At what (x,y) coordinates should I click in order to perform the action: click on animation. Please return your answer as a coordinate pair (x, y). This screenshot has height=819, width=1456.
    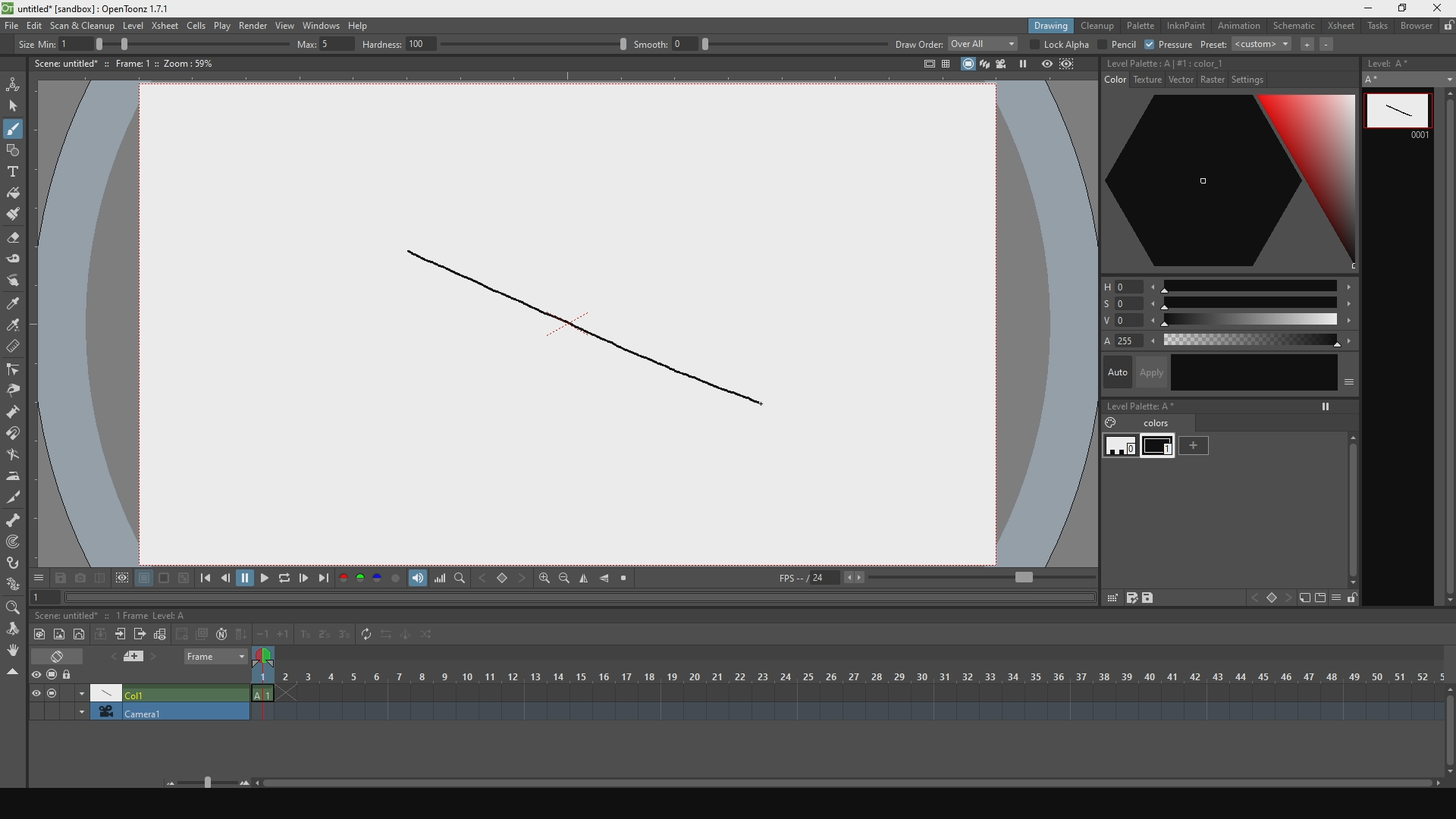
    Looking at the image, I should click on (1241, 27).